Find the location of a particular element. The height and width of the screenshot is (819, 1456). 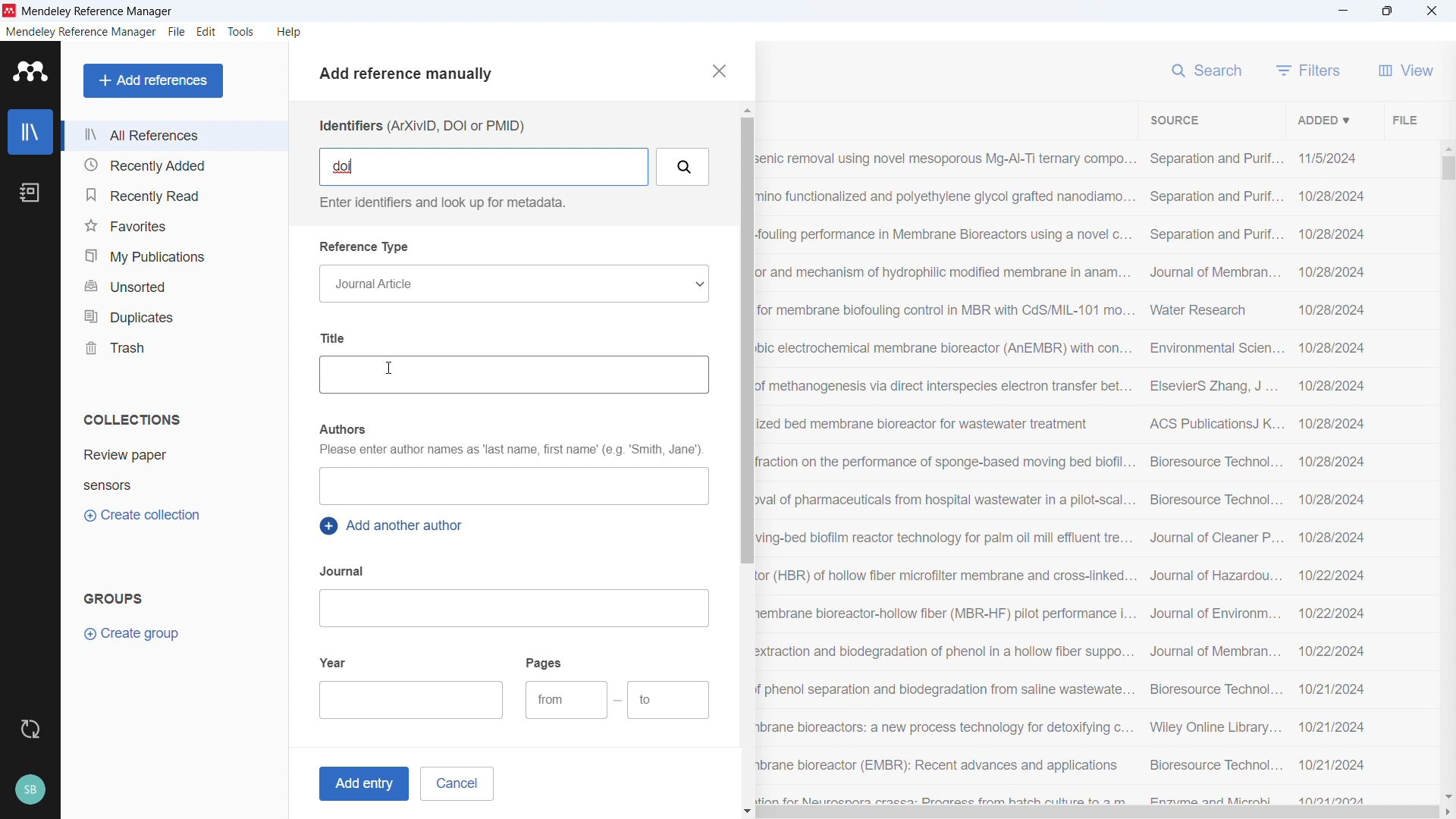

All references  is located at coordinates (174, 135).